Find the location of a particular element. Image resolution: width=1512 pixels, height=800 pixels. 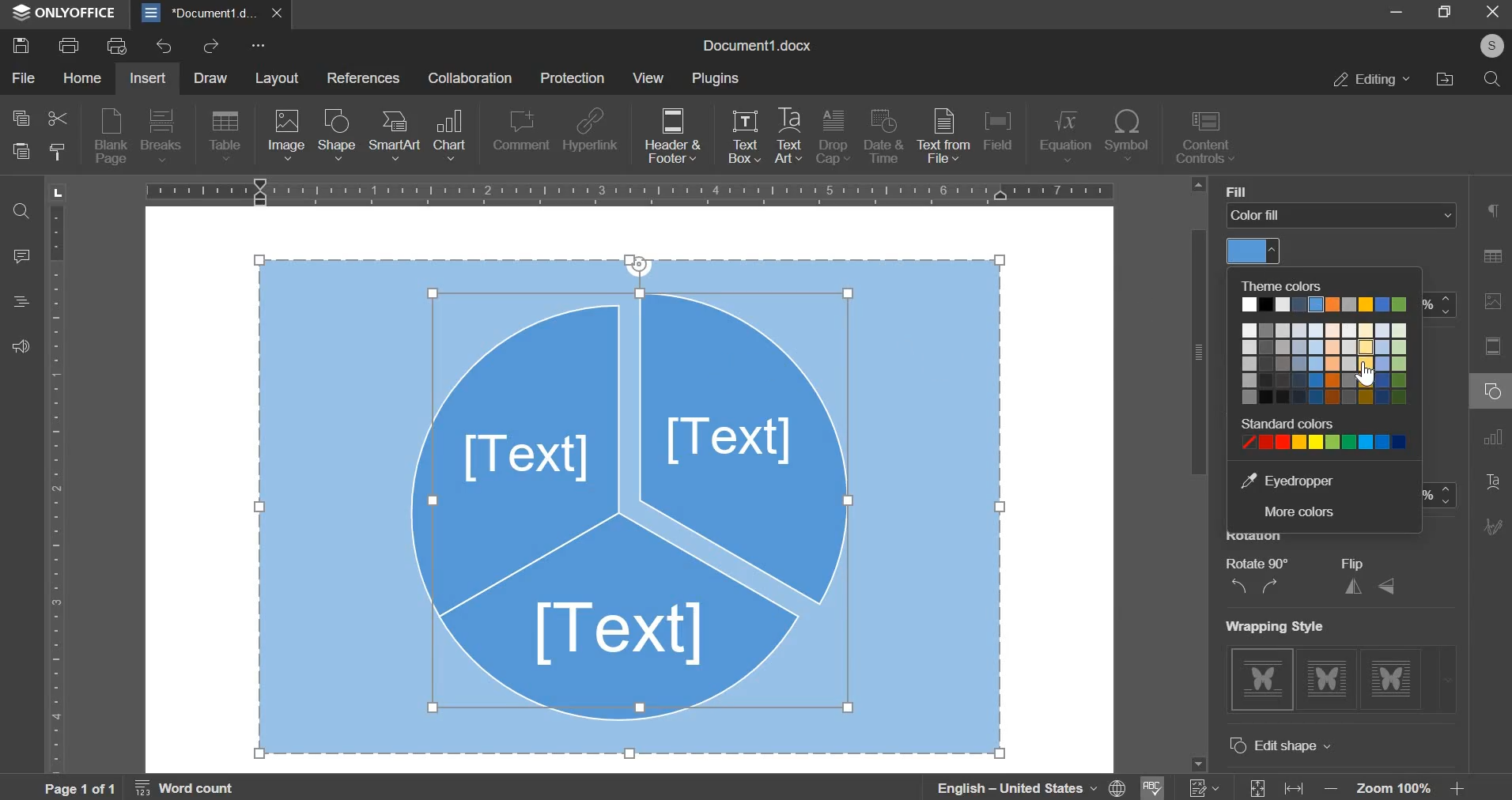

Heading panel is located at coordinates (25, 300).